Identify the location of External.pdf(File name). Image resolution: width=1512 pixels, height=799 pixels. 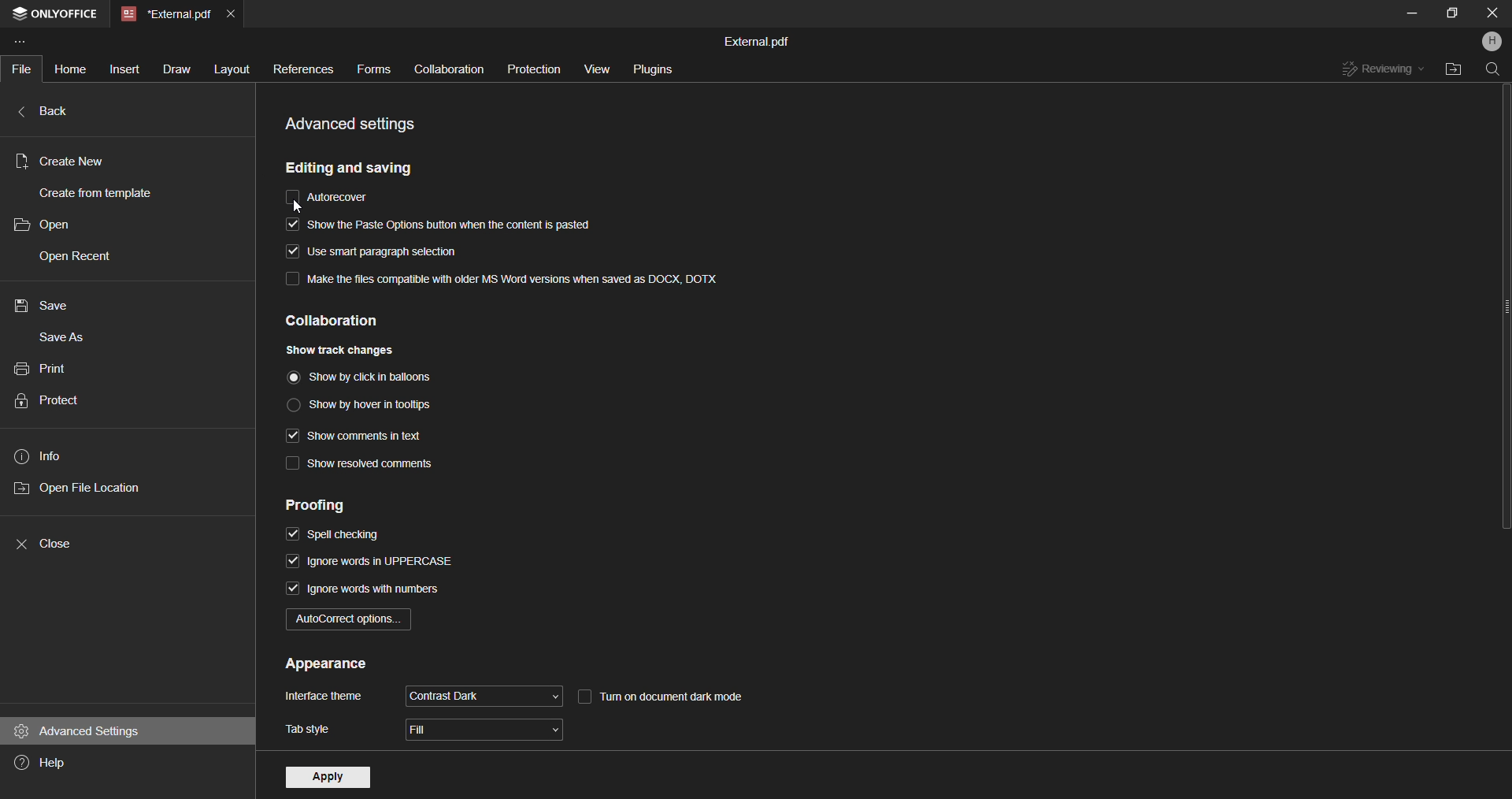
(758, 40).